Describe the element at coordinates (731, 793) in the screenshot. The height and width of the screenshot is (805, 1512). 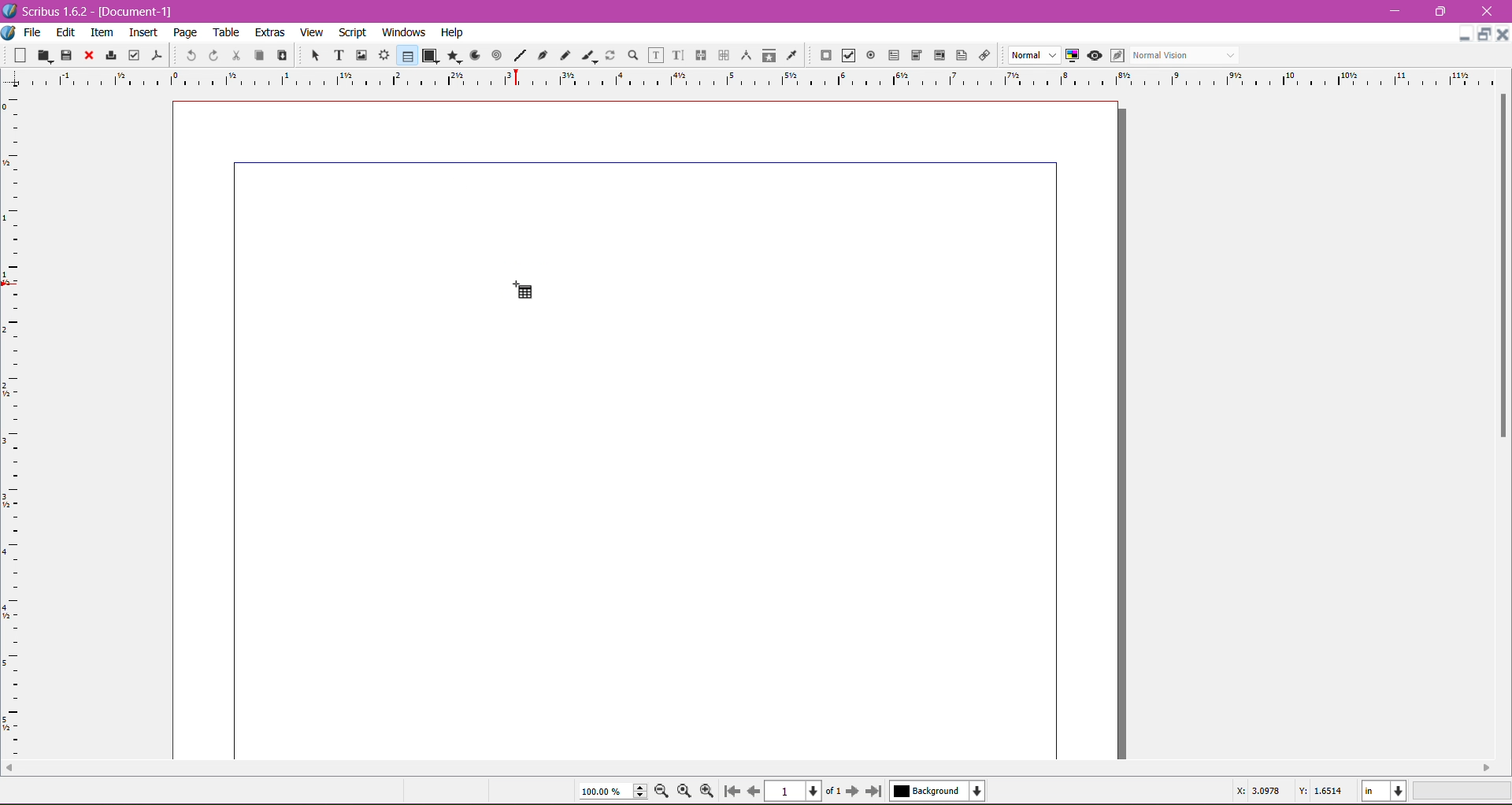
I see `First Page` at that location.